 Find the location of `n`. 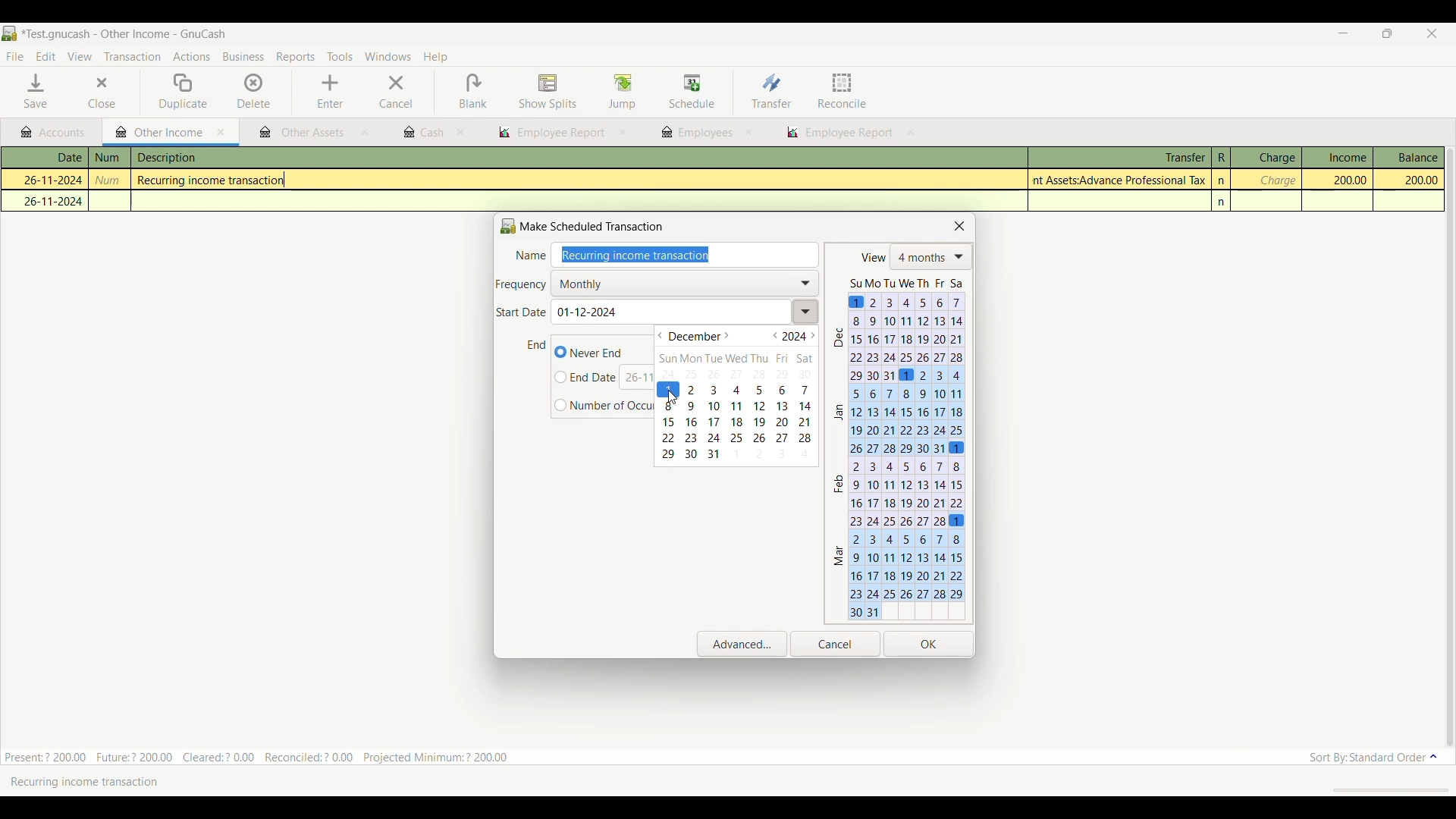

n is located at coordinates (1222, 180).